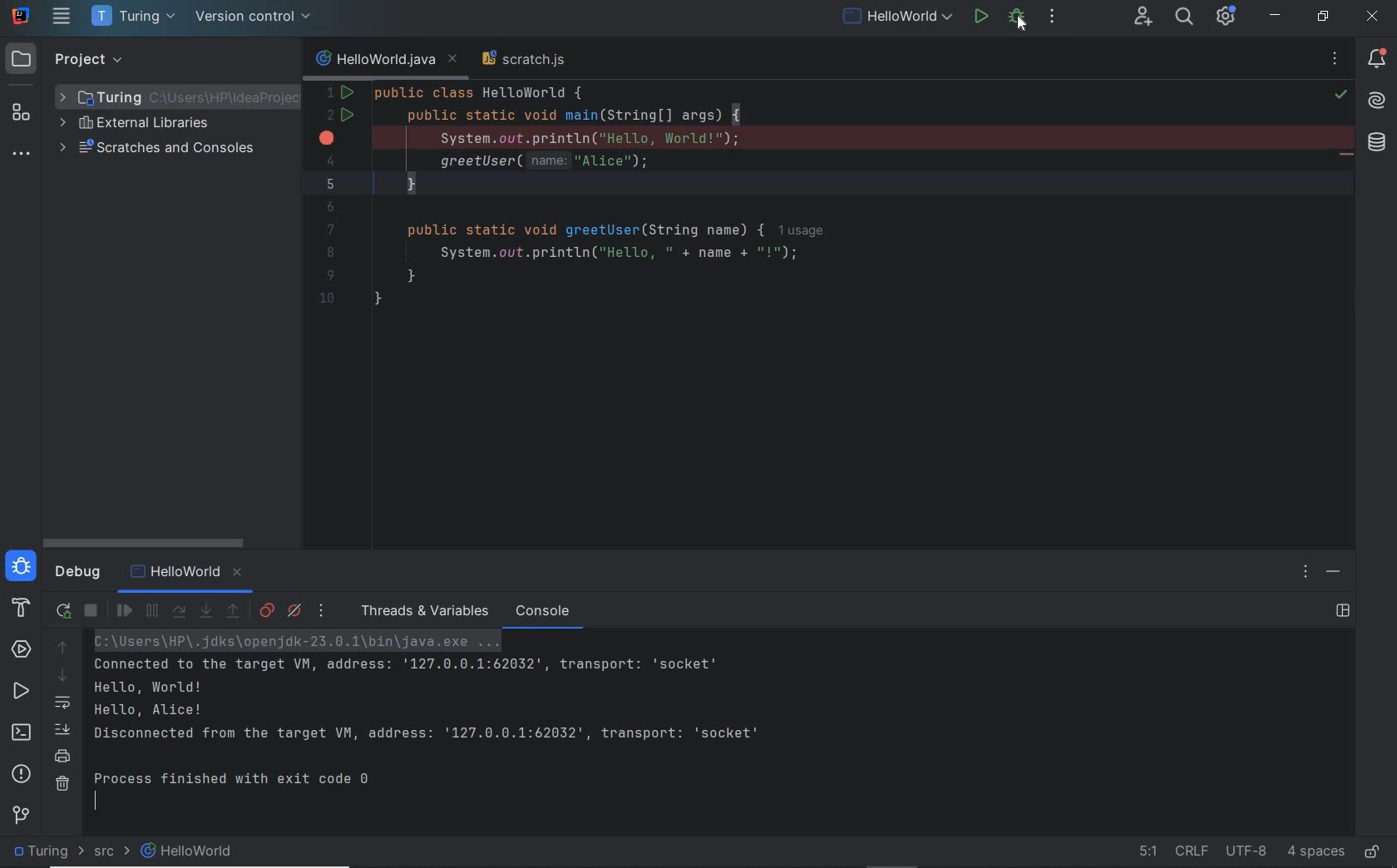 Image resolution: width=1397 pixels, height=868 pixels. Describe the element at coordinates (422, 611) in the screenshot. I see `threads & variables` at that location.